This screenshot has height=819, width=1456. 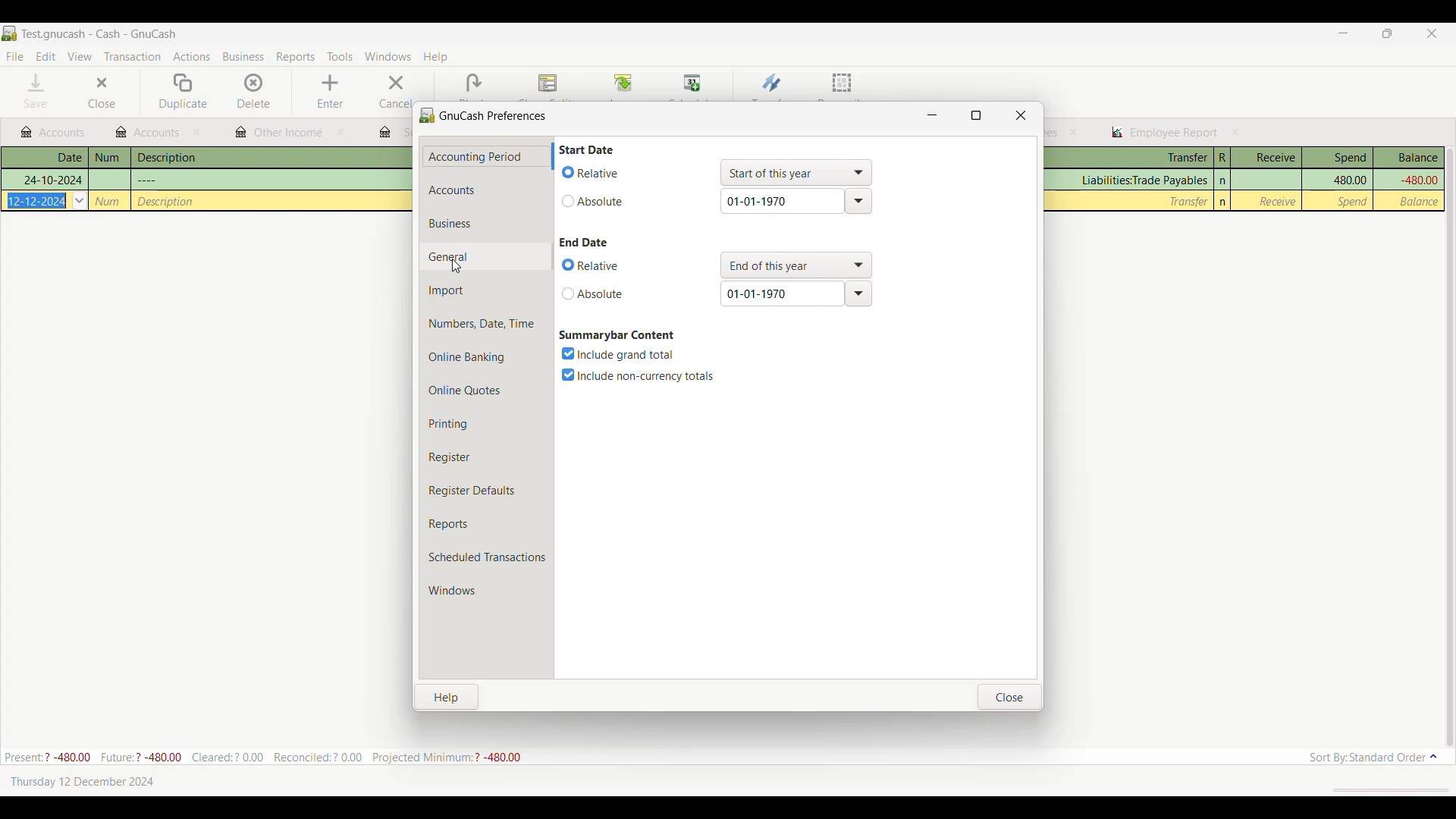 What do you see at coordinates (486, 357) in the screenshot?
I see `Online banking` at bounding box center [486, 357].